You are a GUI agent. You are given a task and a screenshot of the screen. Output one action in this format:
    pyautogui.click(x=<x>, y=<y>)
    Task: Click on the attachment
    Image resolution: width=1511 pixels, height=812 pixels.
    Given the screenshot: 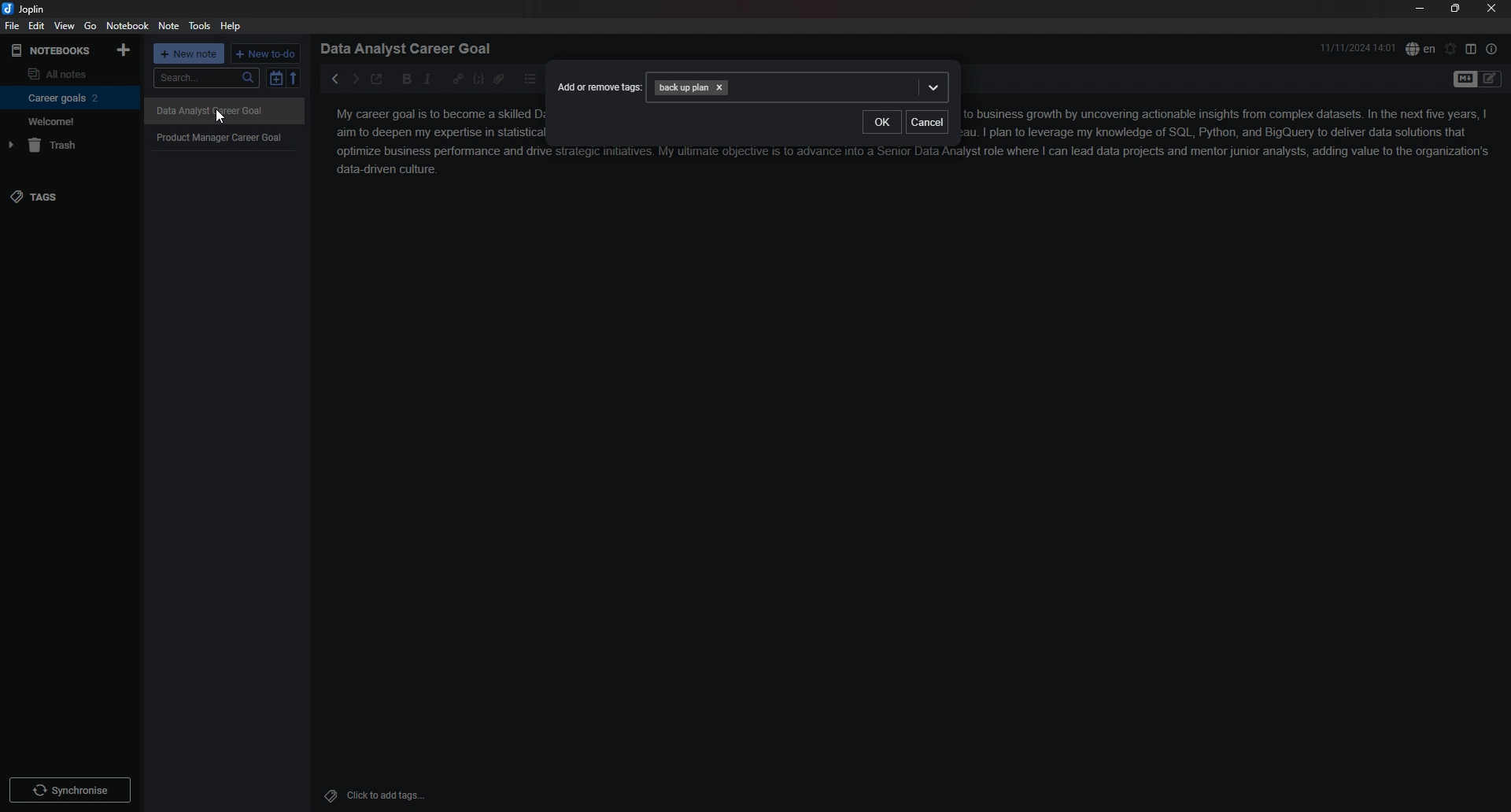 What is the action you would take?
    pyautogui.click(x=499, y=79)
    